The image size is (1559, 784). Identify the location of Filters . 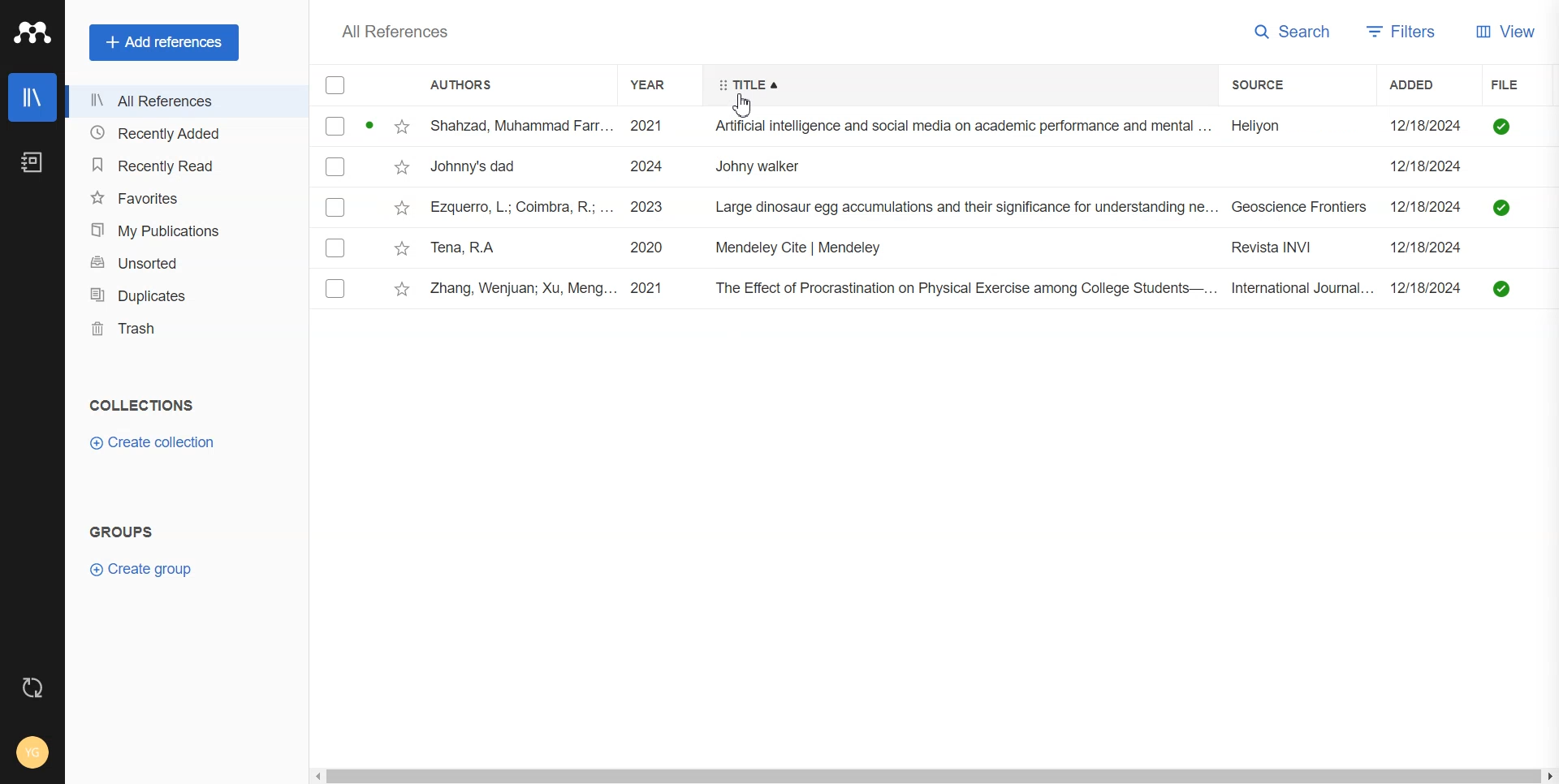
(1407, 30).